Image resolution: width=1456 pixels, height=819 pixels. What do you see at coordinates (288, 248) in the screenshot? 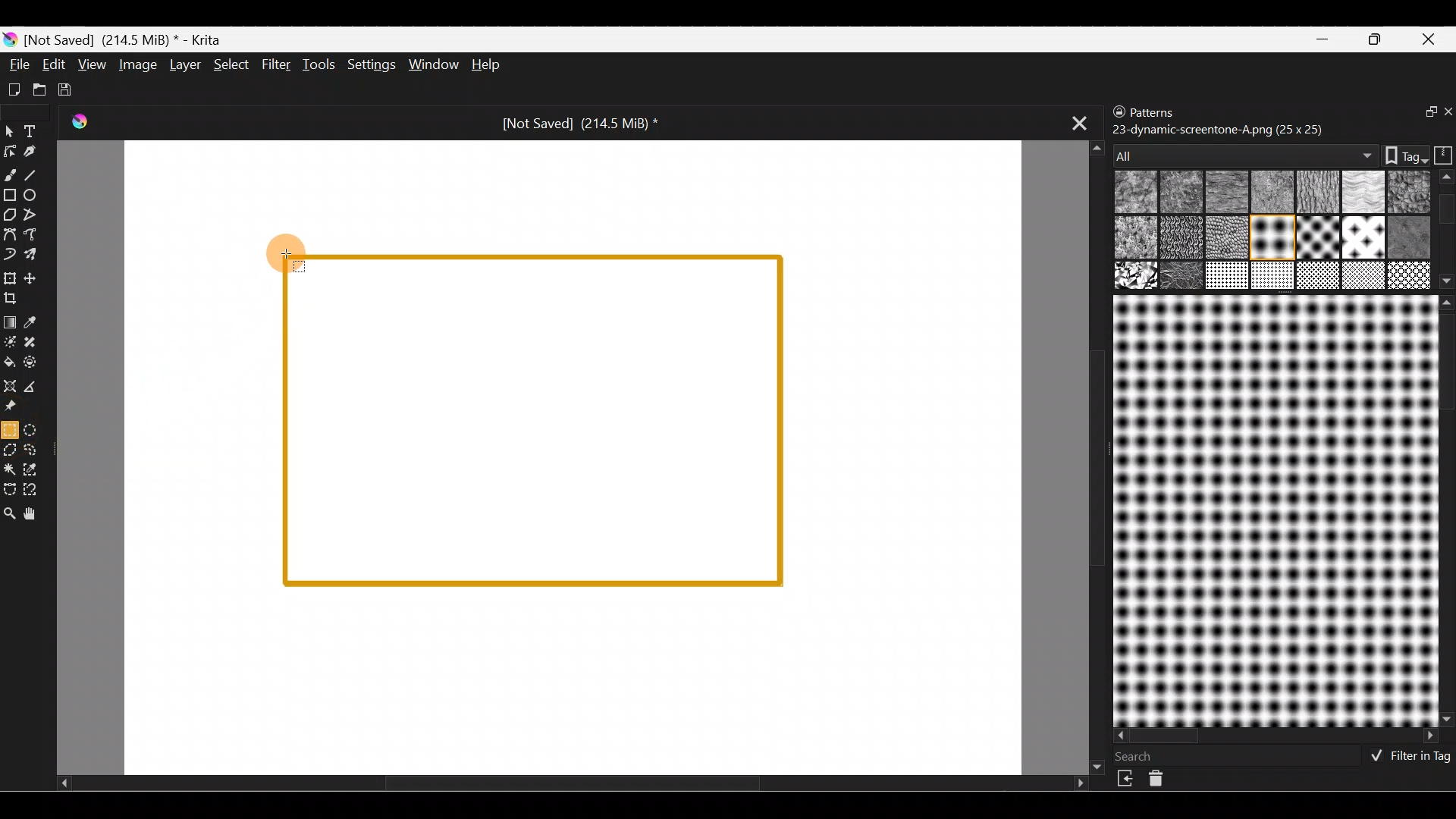
I see `Cursor` at bounding box center [288, 248].